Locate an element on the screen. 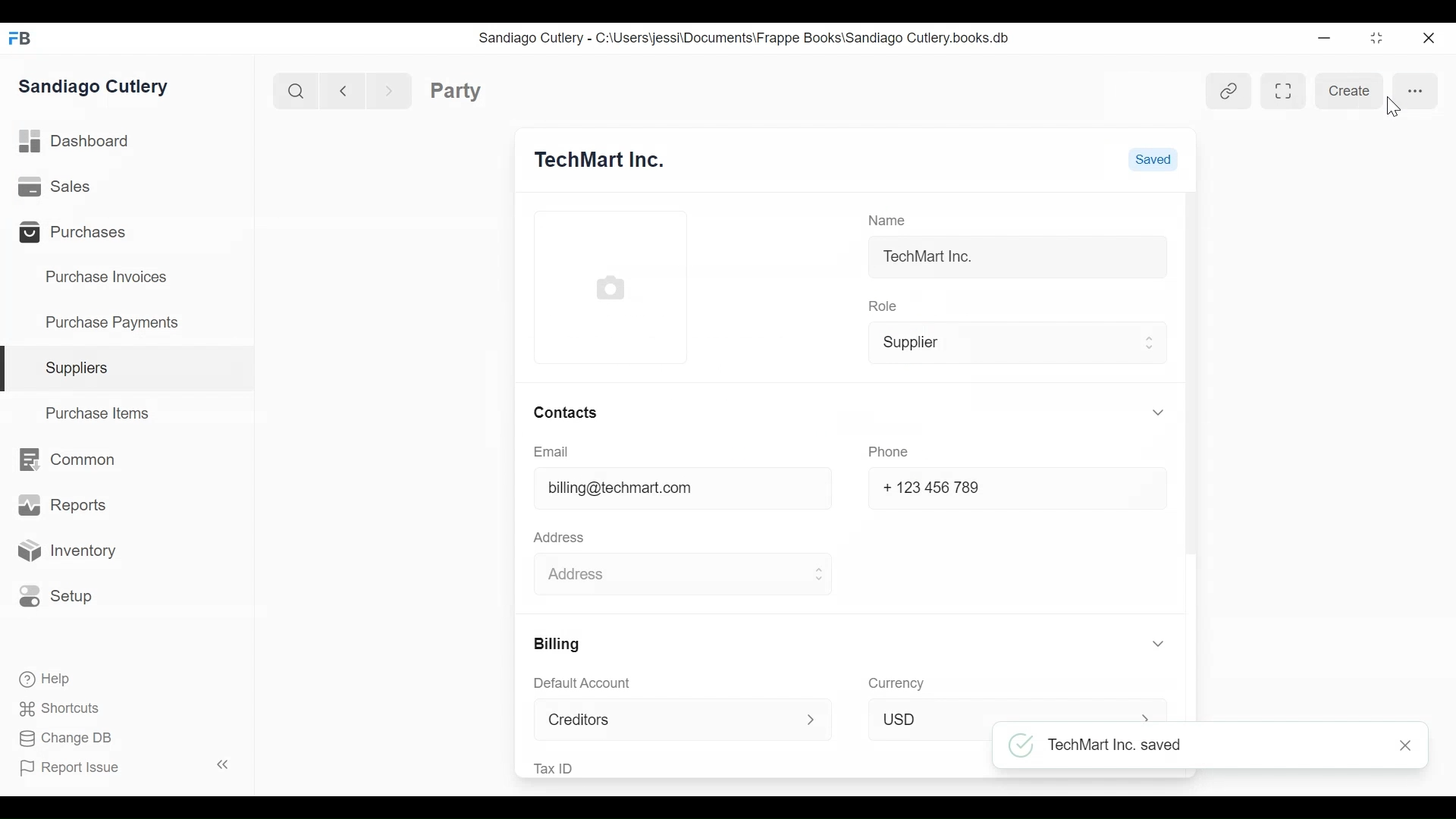 This screenshot has height=819, width=1456. Saved is located at coordinates (1154, 160).